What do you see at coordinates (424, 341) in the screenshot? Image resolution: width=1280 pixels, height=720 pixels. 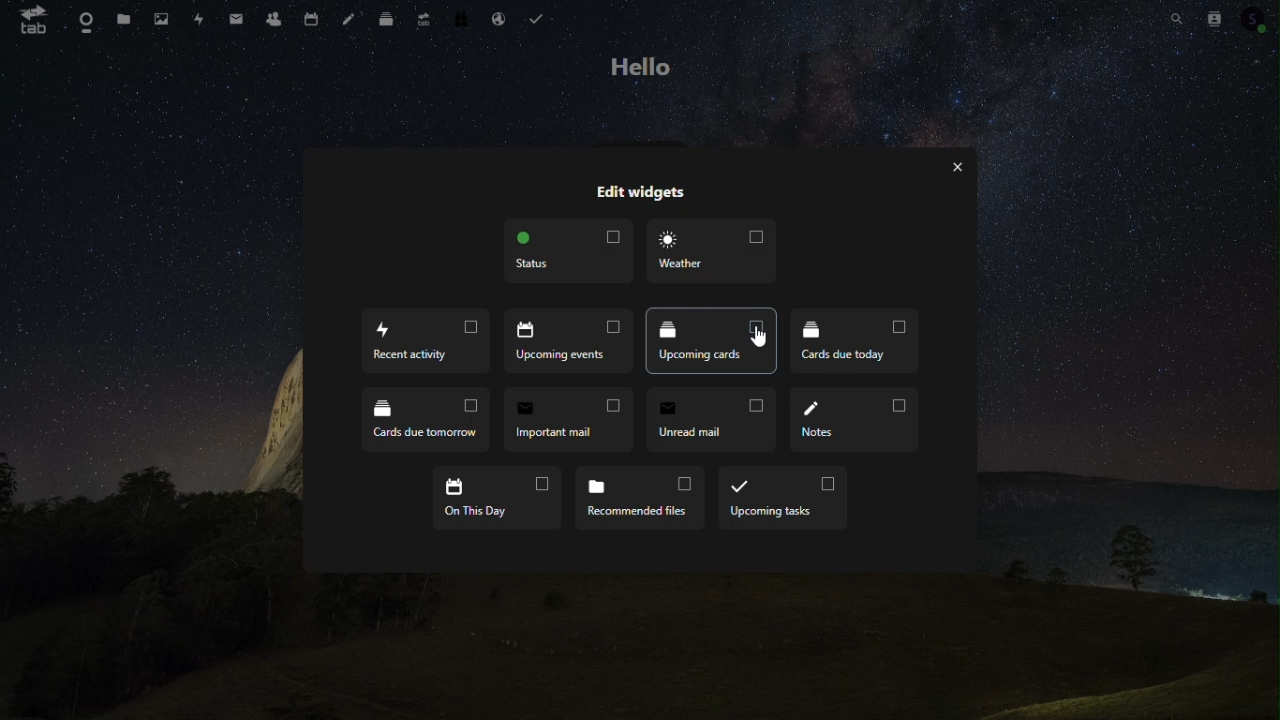 I see `Recent activity` at bounding box center [424, 341].